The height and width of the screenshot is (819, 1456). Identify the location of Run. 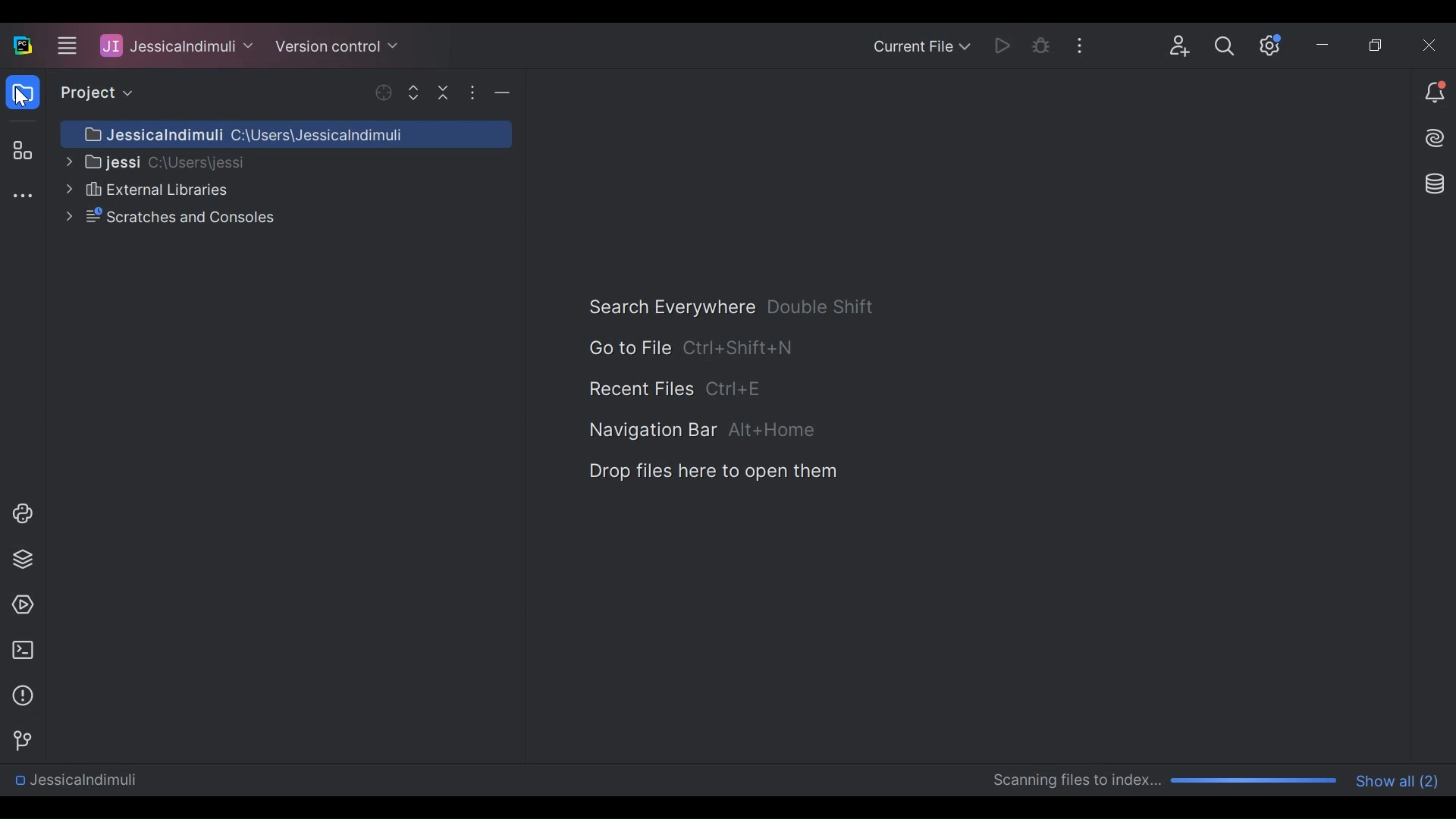
(1004, 47).